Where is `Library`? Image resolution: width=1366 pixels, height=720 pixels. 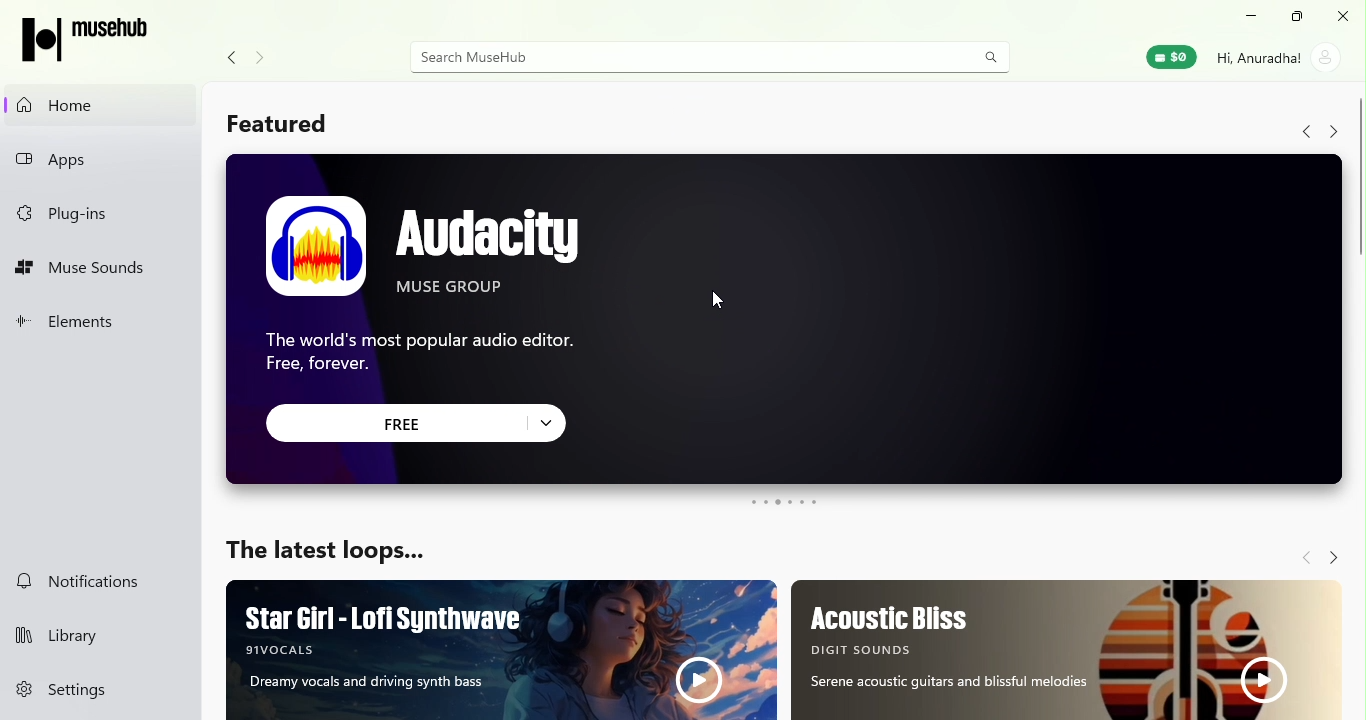 Library is located at coordinates (99, 634).